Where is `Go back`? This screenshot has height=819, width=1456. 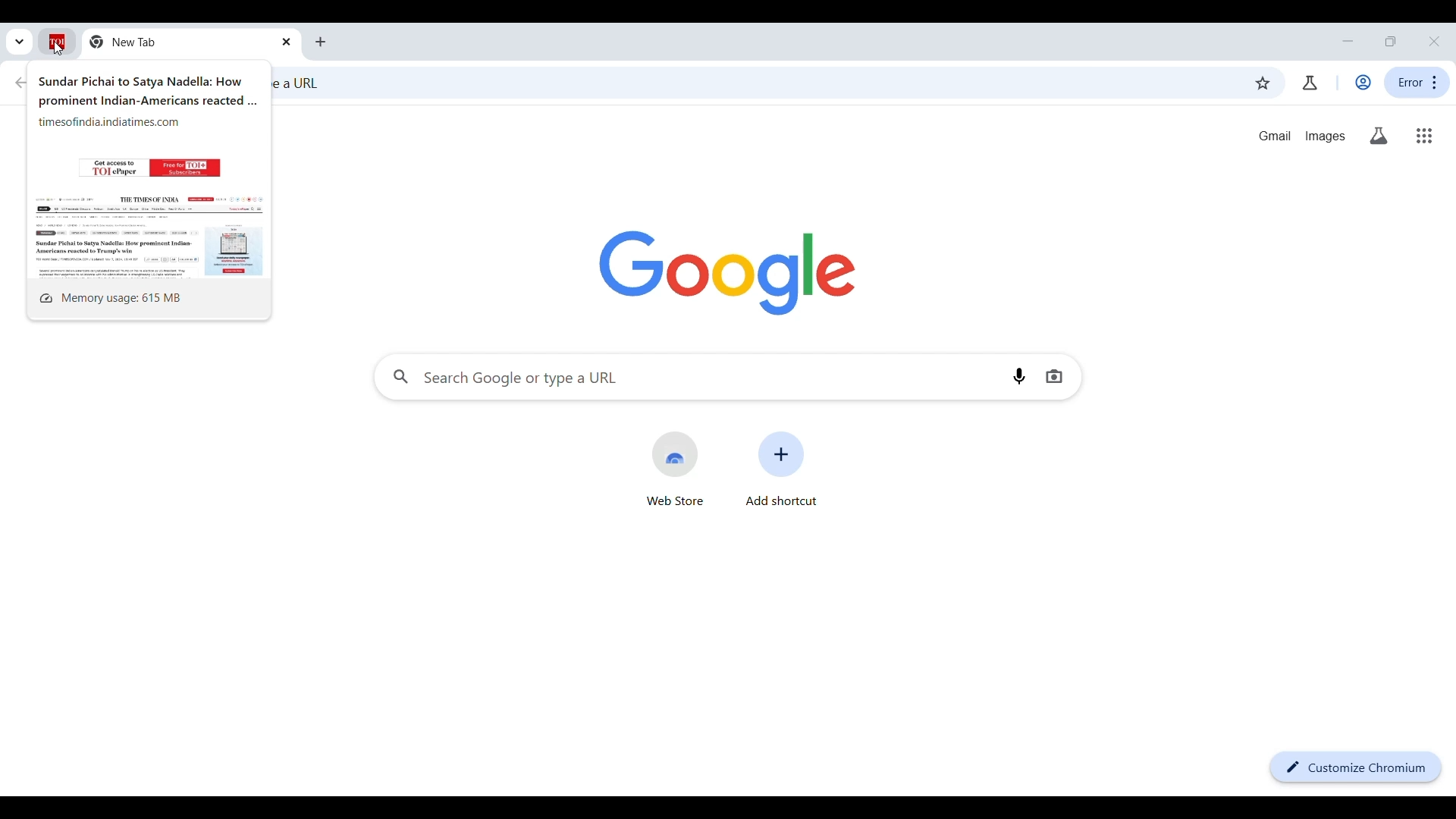 Go back is located at coordinates (20, 83).